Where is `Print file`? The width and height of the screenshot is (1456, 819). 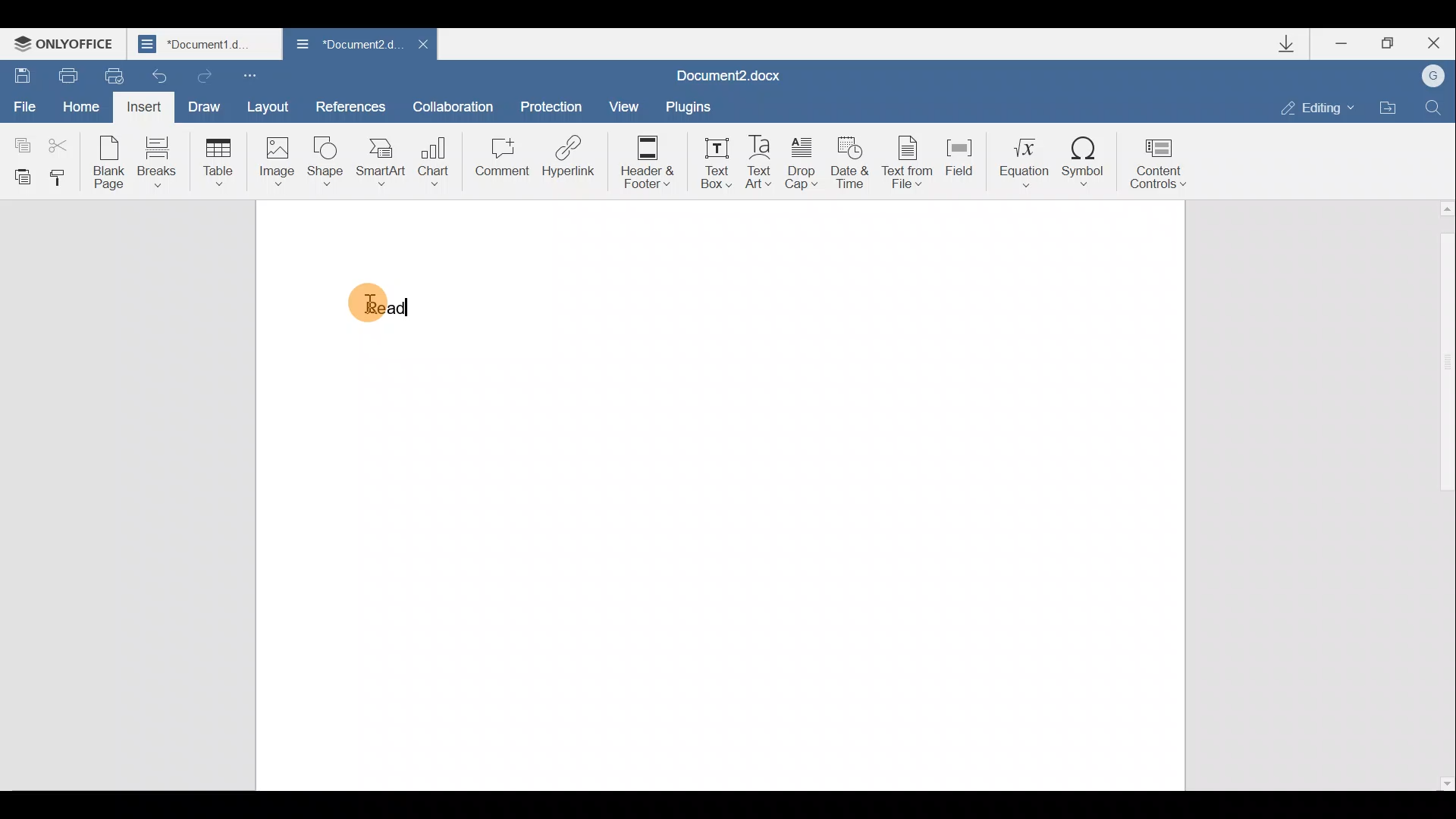
Print file is located at coordinates (67, 73).